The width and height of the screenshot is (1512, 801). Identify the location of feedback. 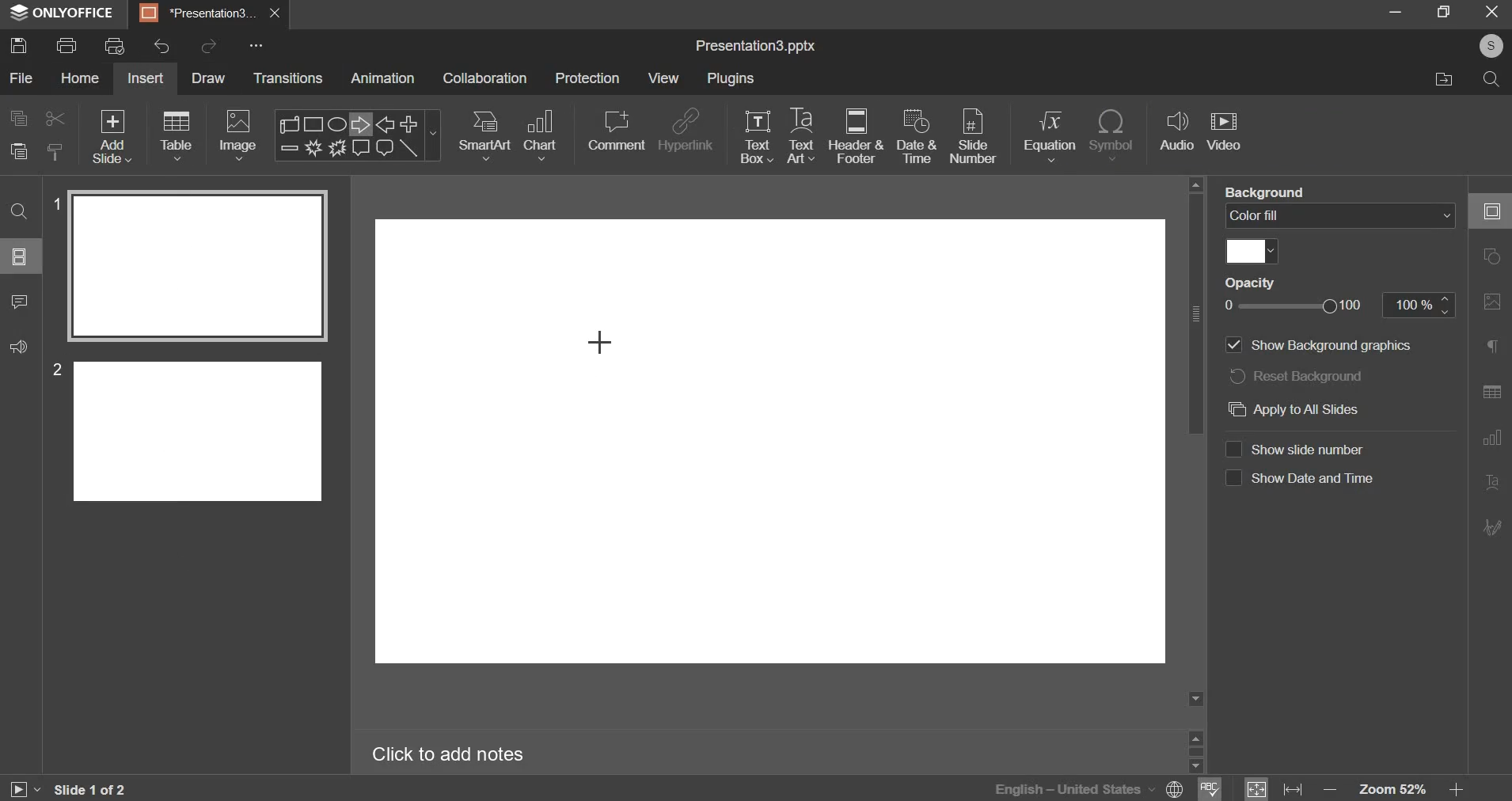
(19, 347).